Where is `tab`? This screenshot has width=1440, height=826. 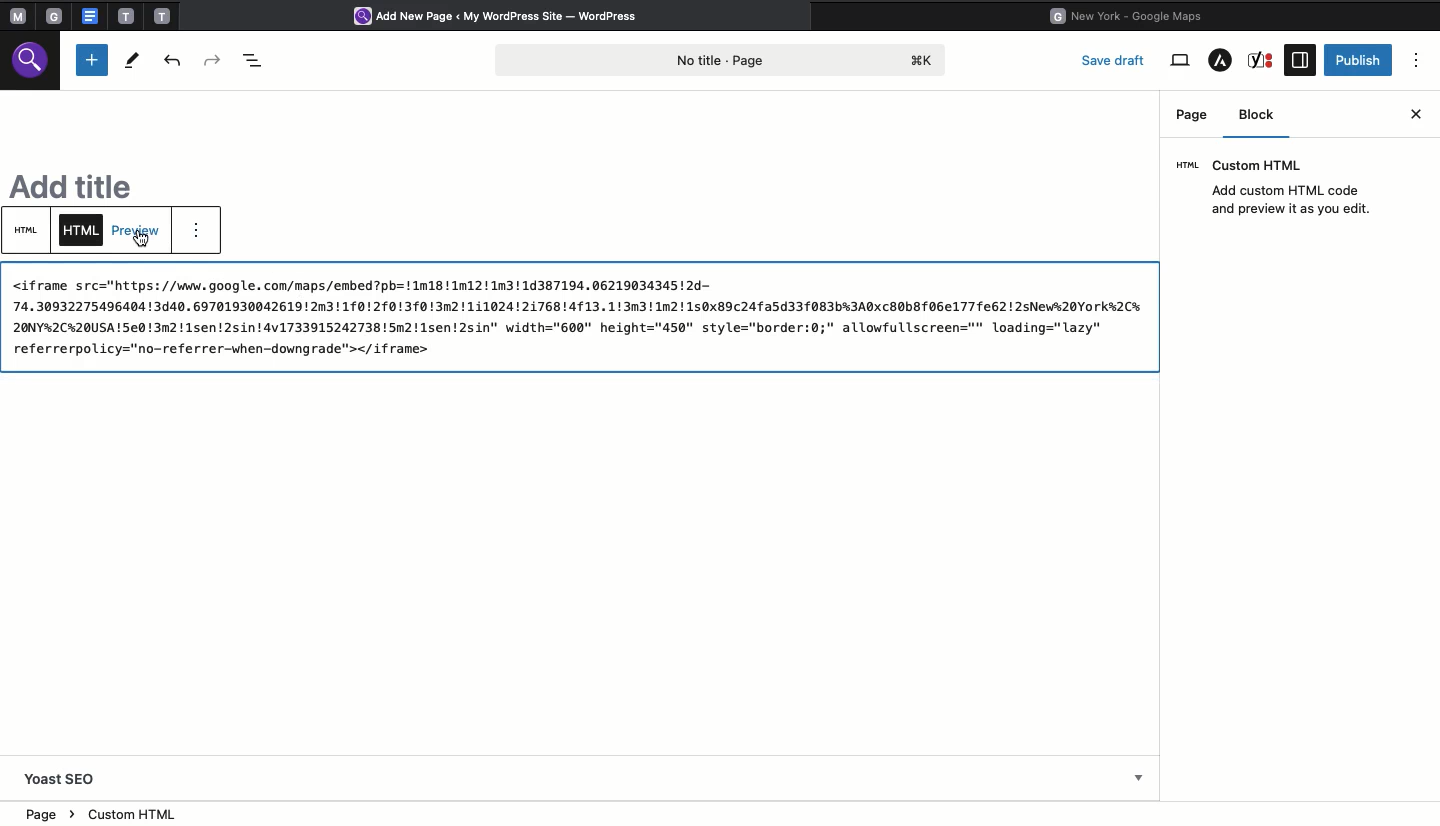
tab is located at coordinates (164, 15).